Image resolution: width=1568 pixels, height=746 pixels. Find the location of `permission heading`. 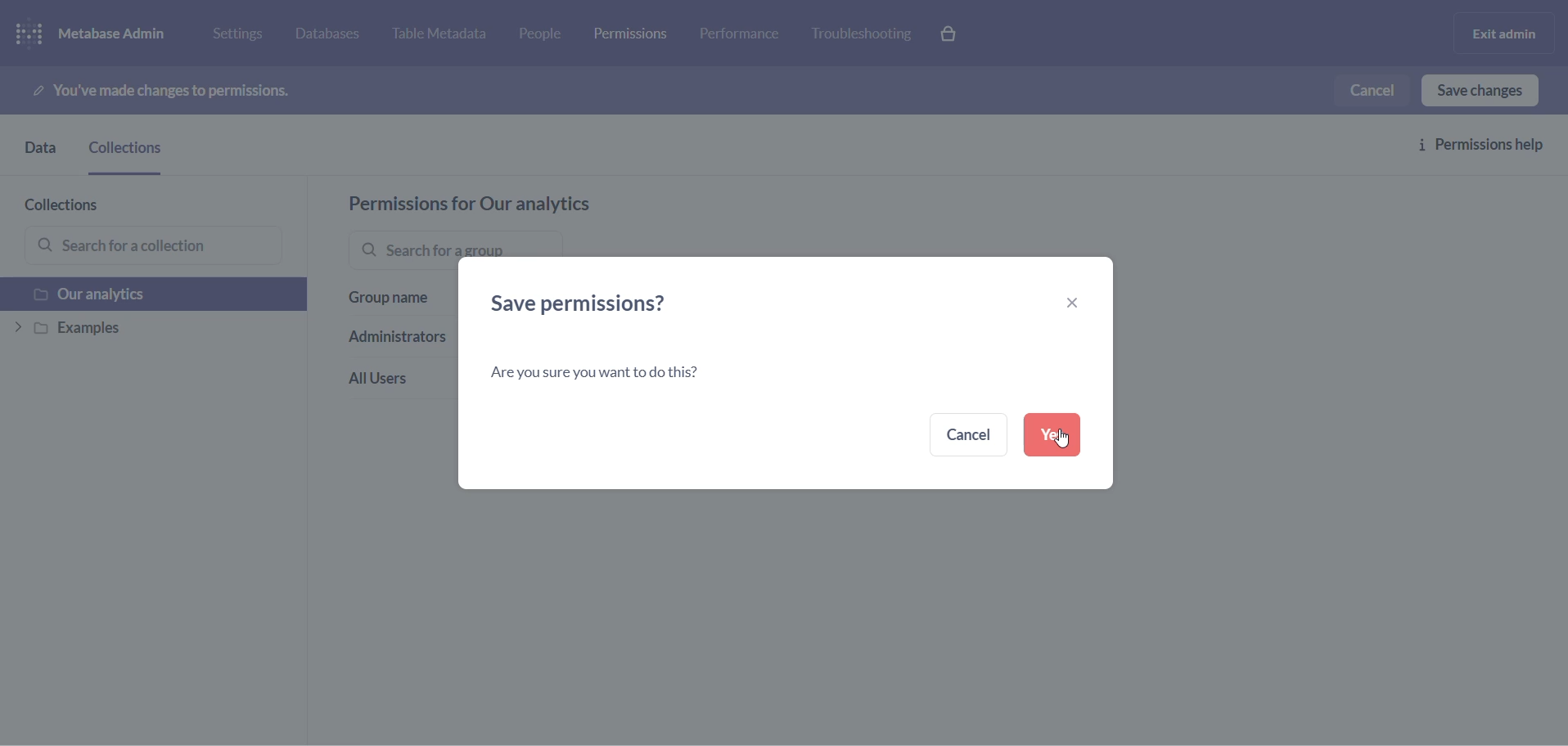

permission heading is located at coordinates (513, 204).